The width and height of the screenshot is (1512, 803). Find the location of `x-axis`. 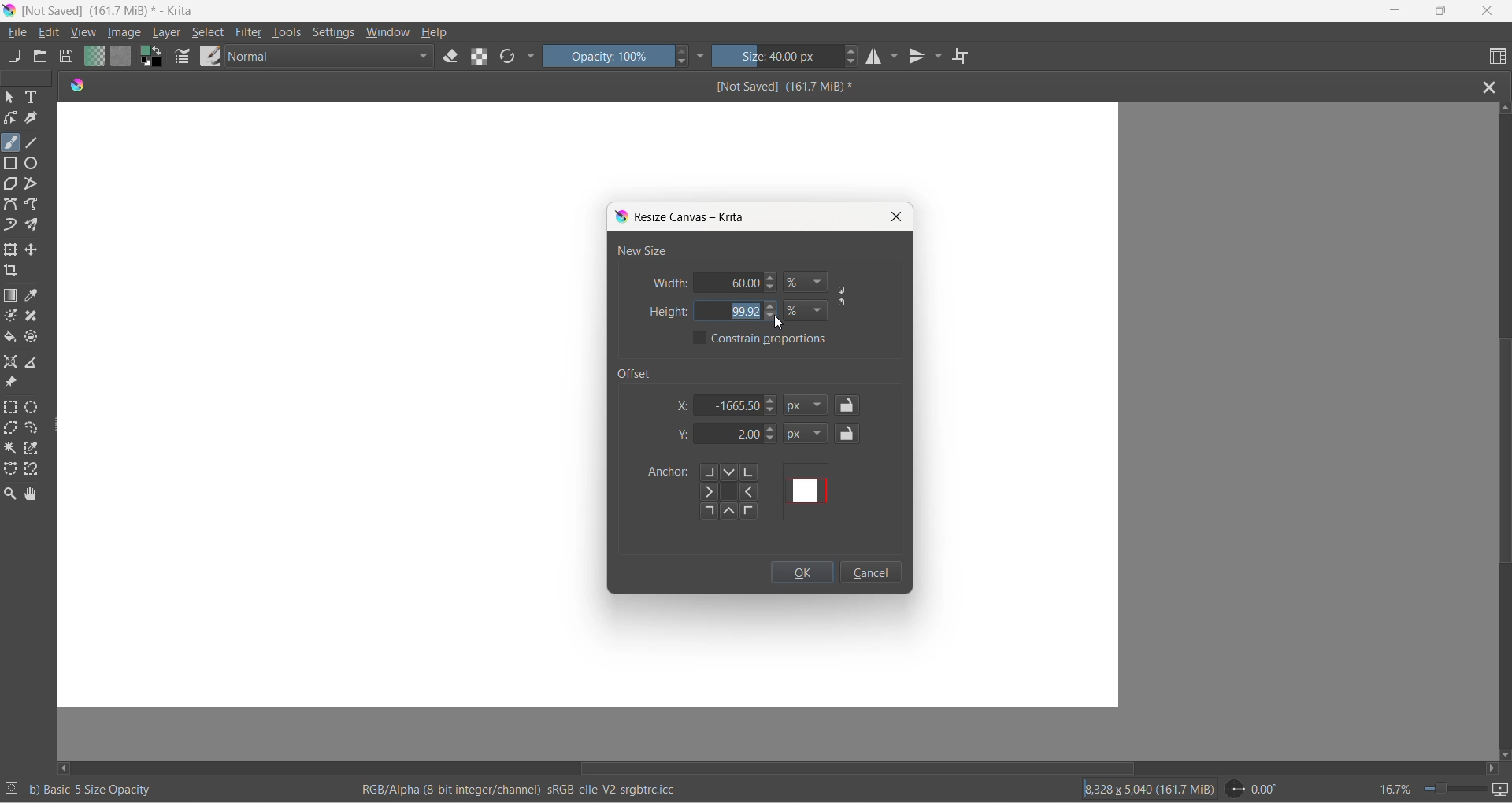

x-axis is located at coordinates (684, 405).